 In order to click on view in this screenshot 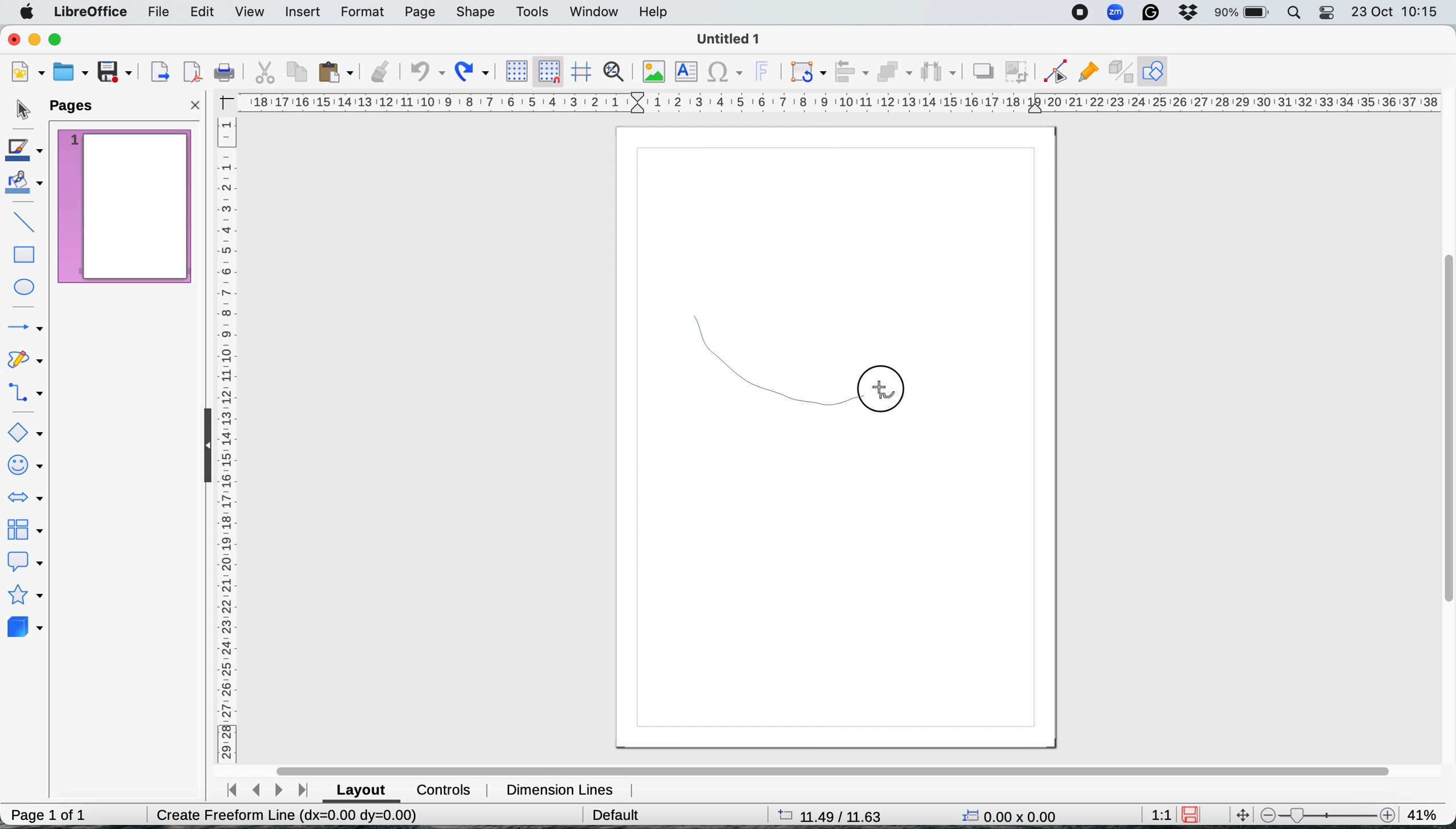, I will do `click(251, 11)`.